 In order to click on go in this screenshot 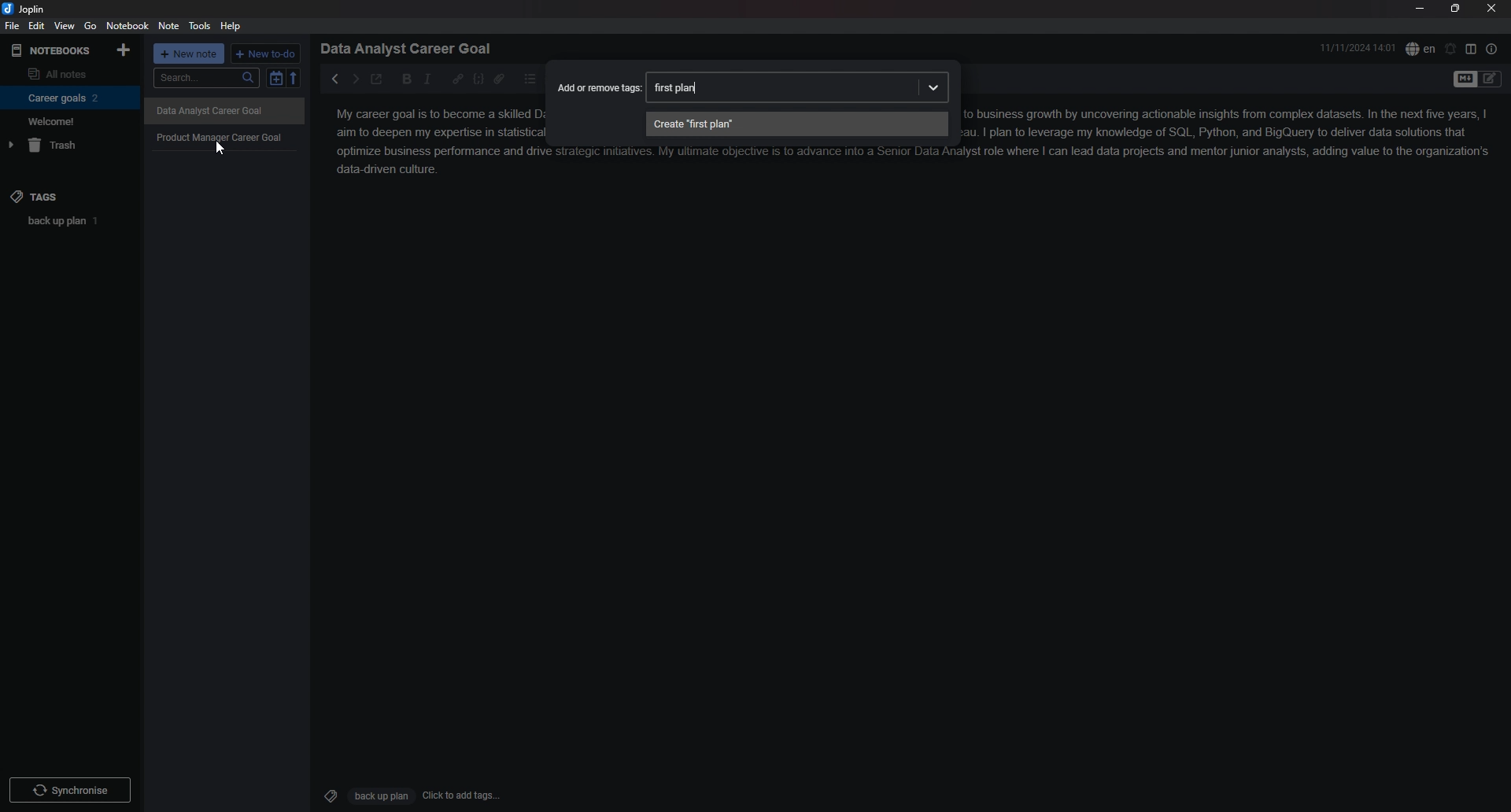, I will do `click(91, 26)`.